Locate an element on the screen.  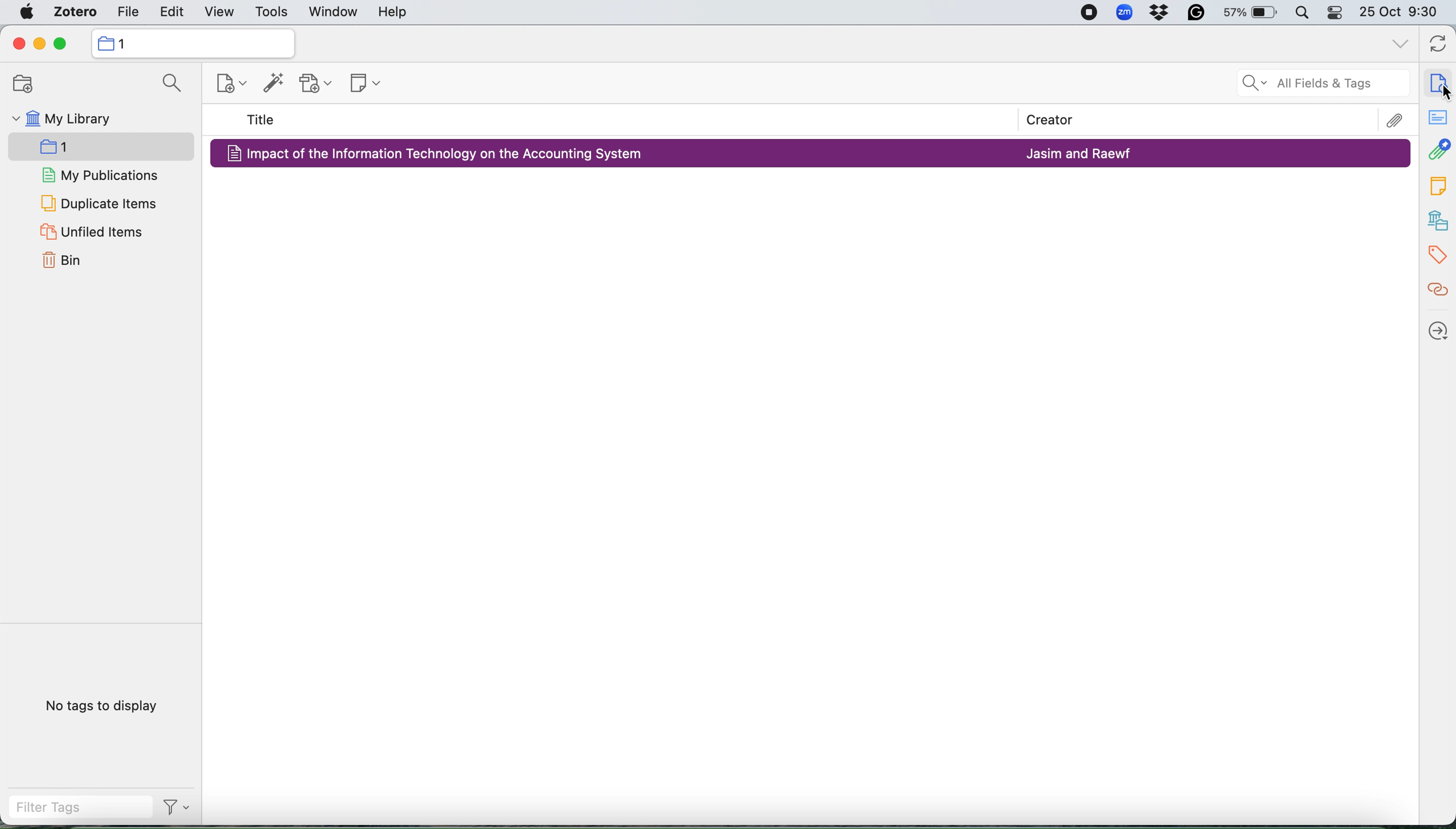
tags is located at coordinates (1436, 184).